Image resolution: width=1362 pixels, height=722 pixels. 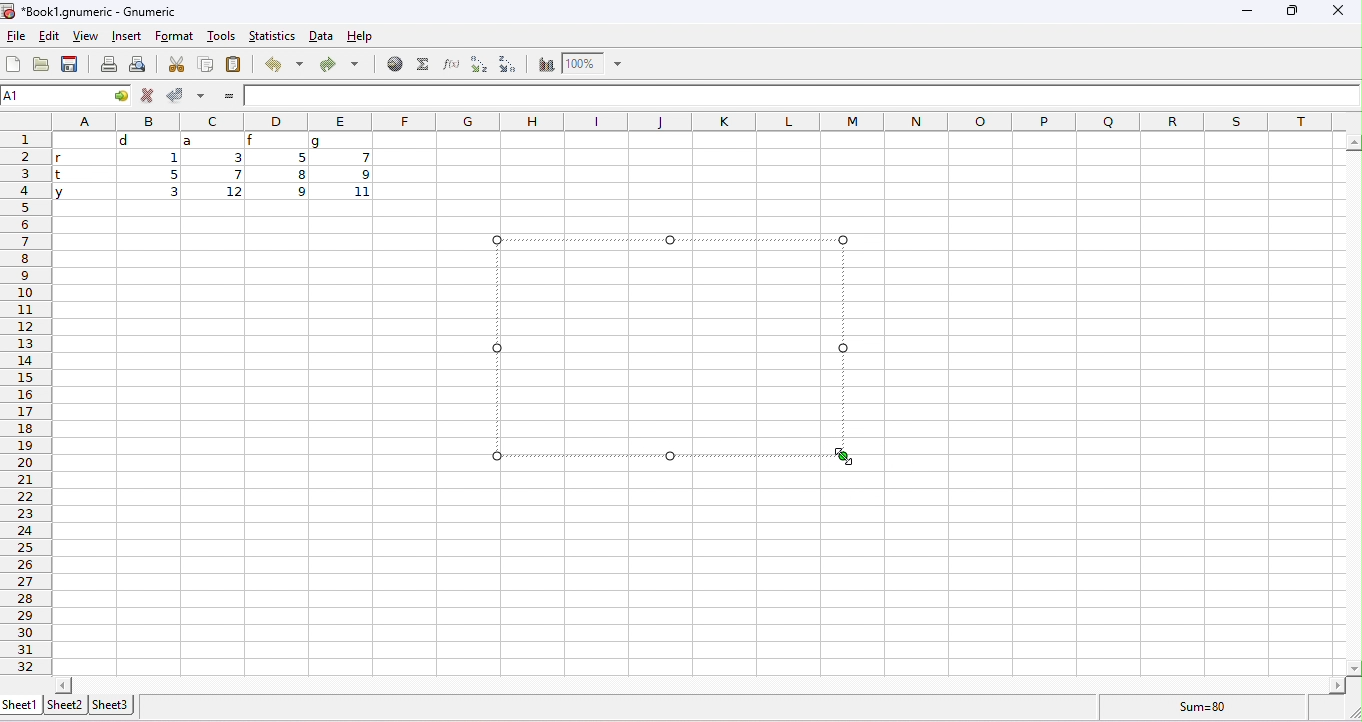 What do you see at coordinates (179, 64) in the screenshot?
I see `cut` at bounding box center [179, 64].